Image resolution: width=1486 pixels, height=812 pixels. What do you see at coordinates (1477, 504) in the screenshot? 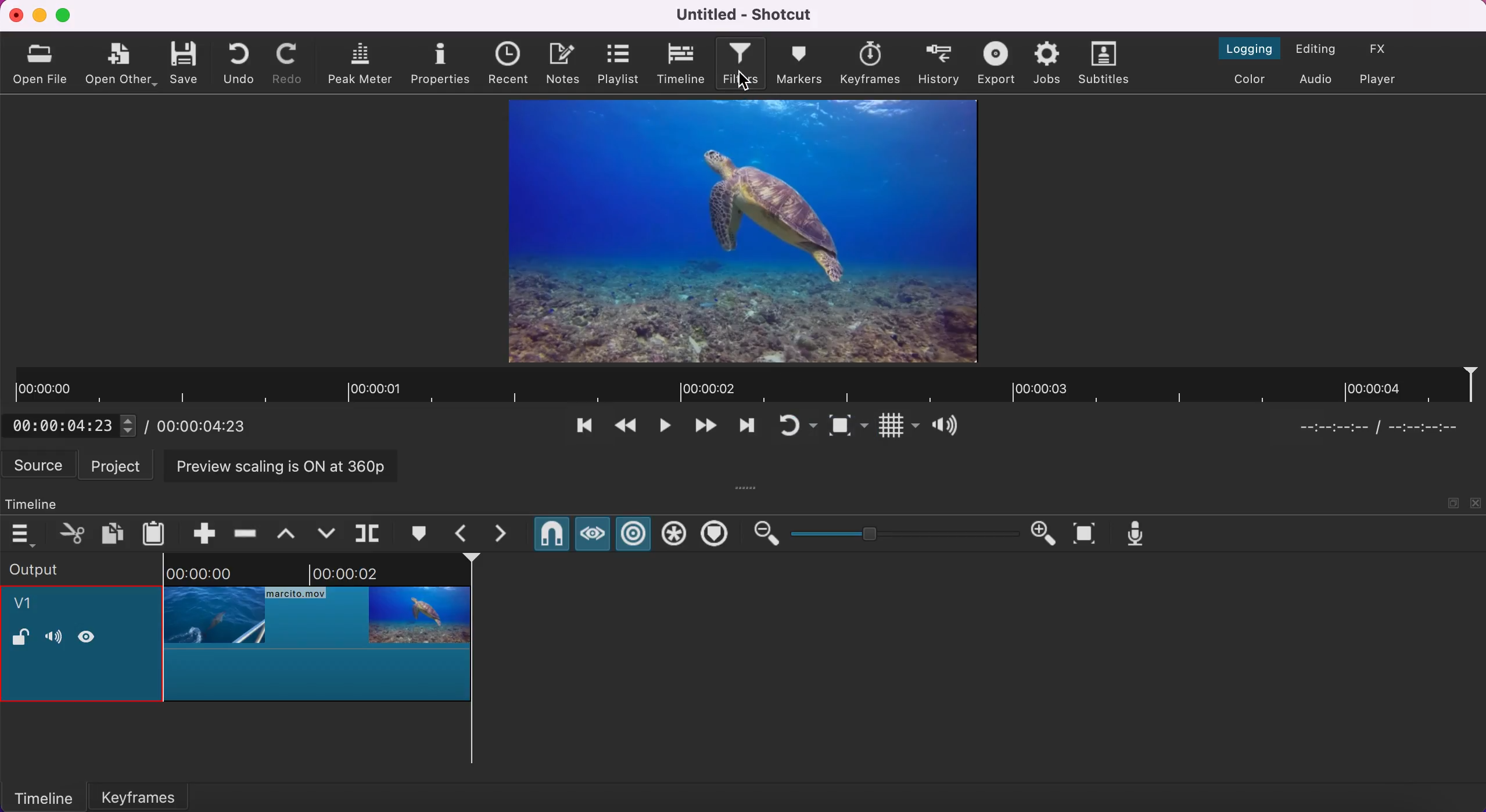
I see `close` at bounding box center [1477, 504].